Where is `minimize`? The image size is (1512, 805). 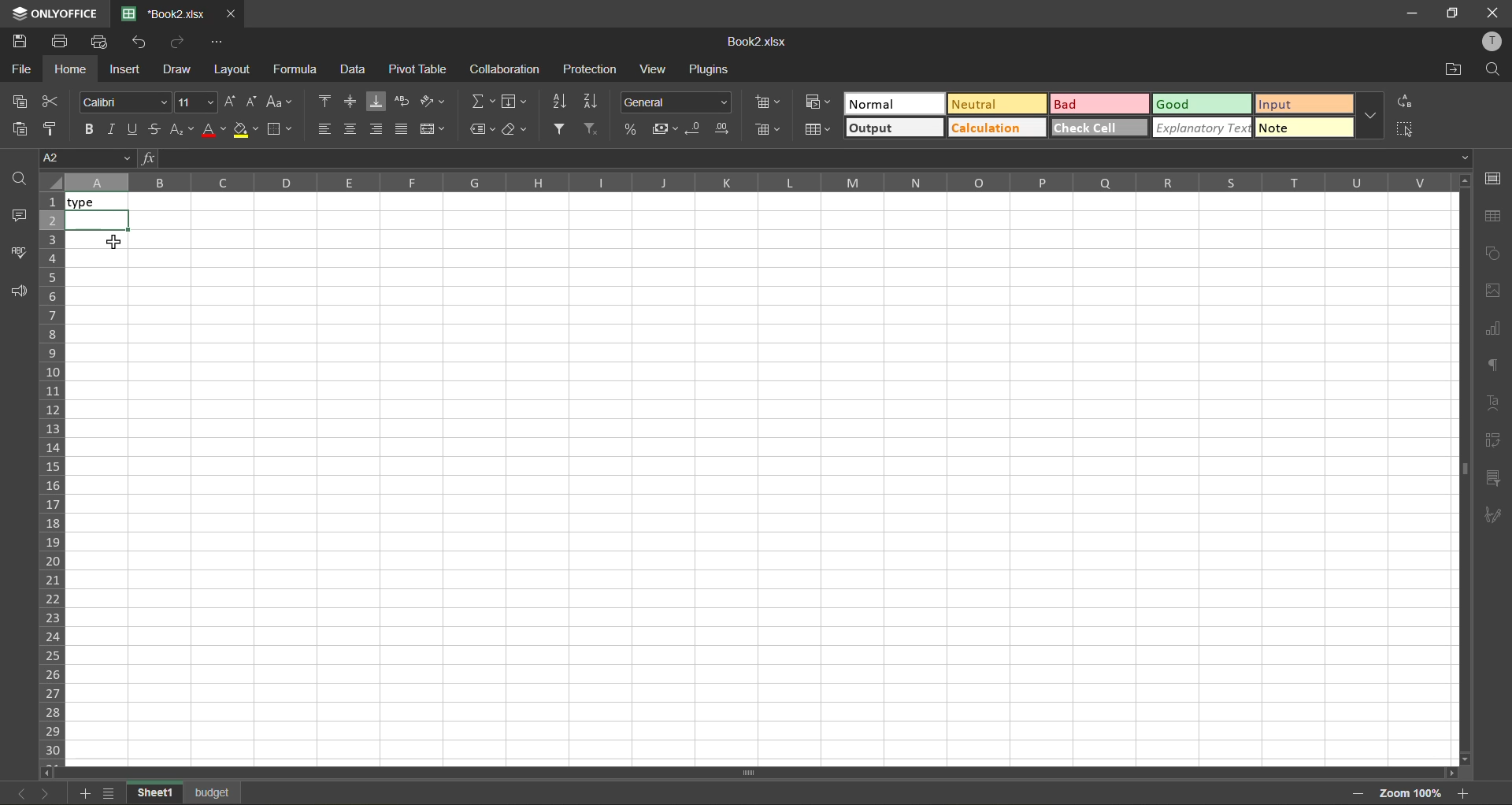
minimize is located at coordinates (1410, 14).